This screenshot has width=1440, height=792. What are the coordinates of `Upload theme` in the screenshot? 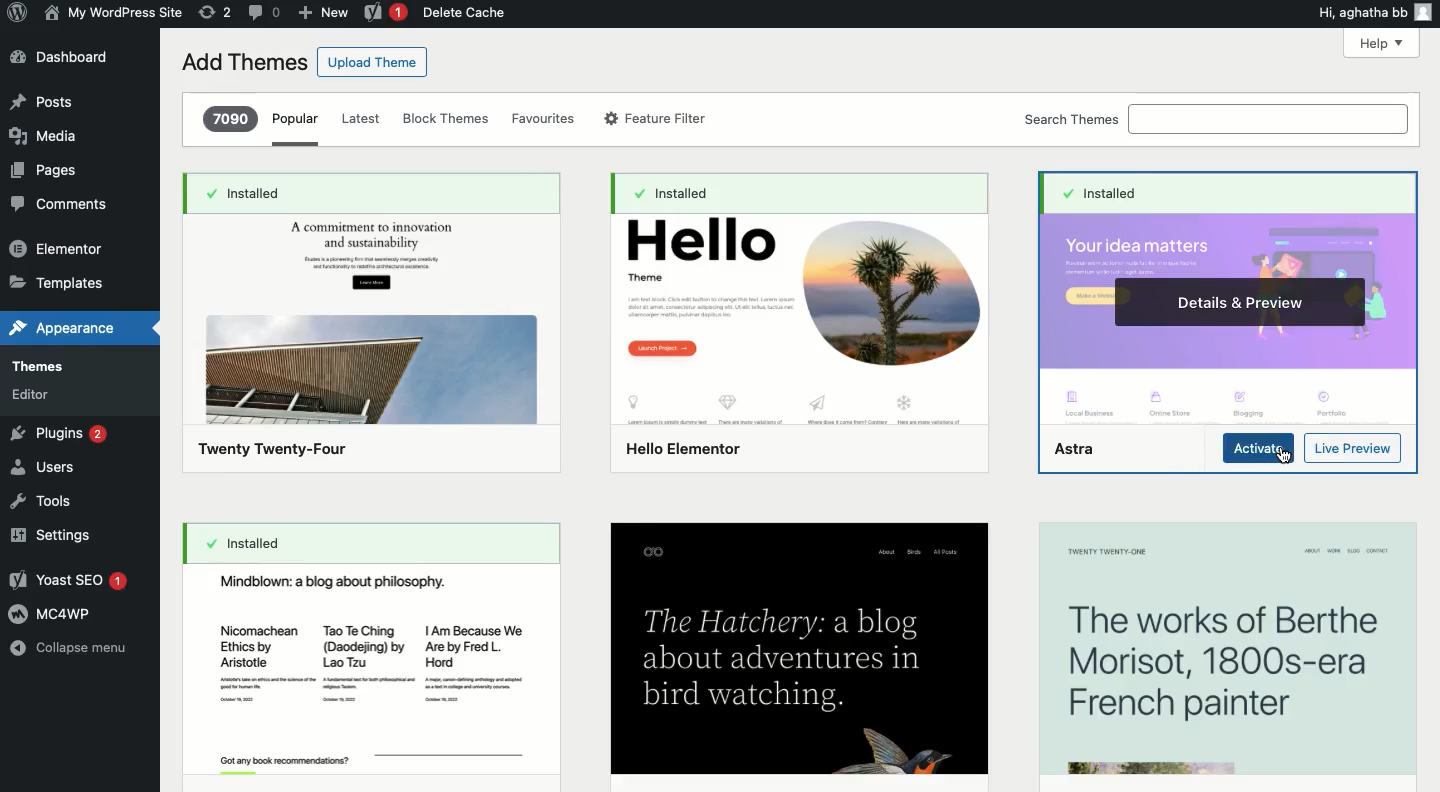 It's located at (370, 62).